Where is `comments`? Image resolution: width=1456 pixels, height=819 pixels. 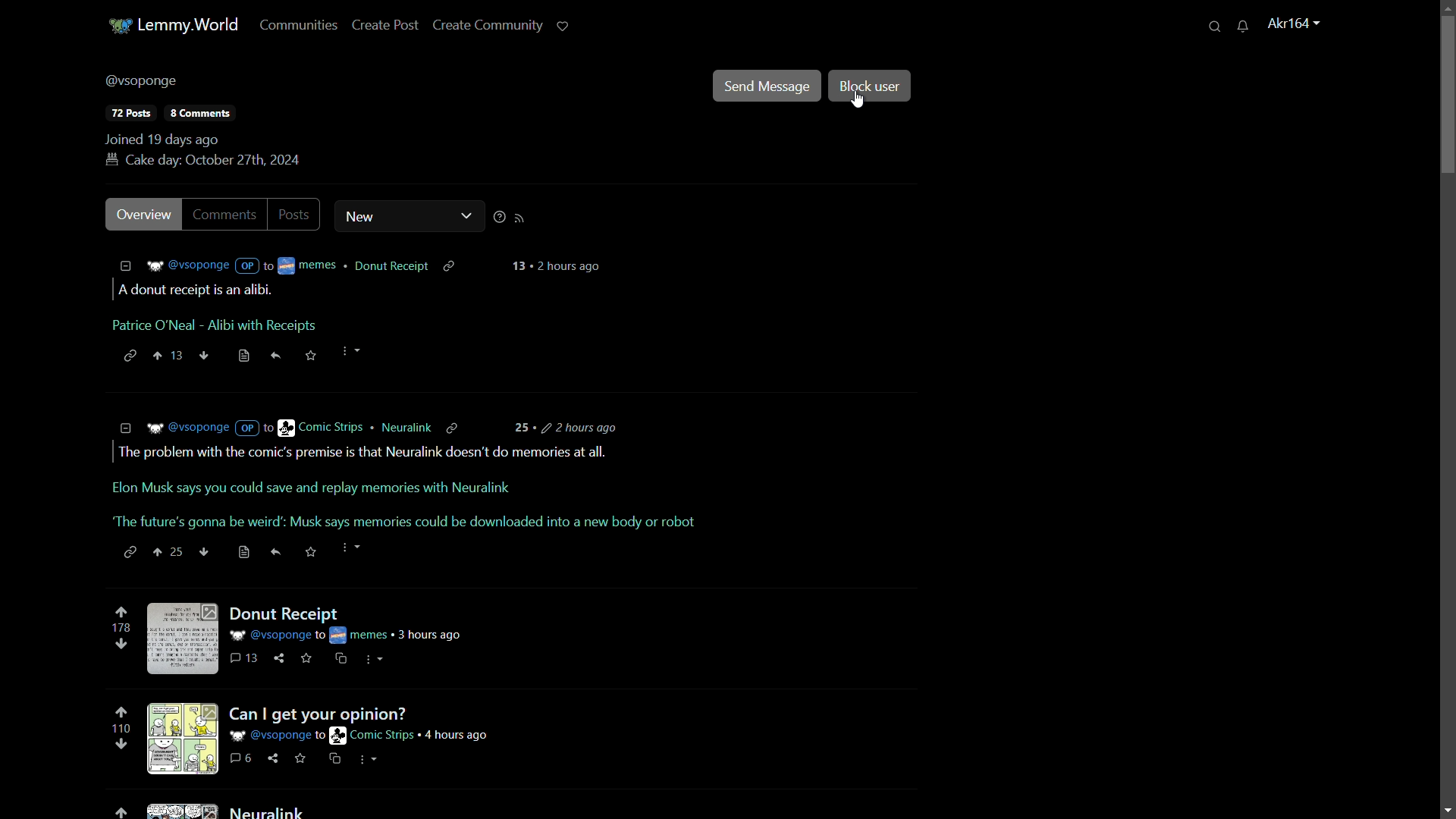
comments is located at coordinates (199, 113).